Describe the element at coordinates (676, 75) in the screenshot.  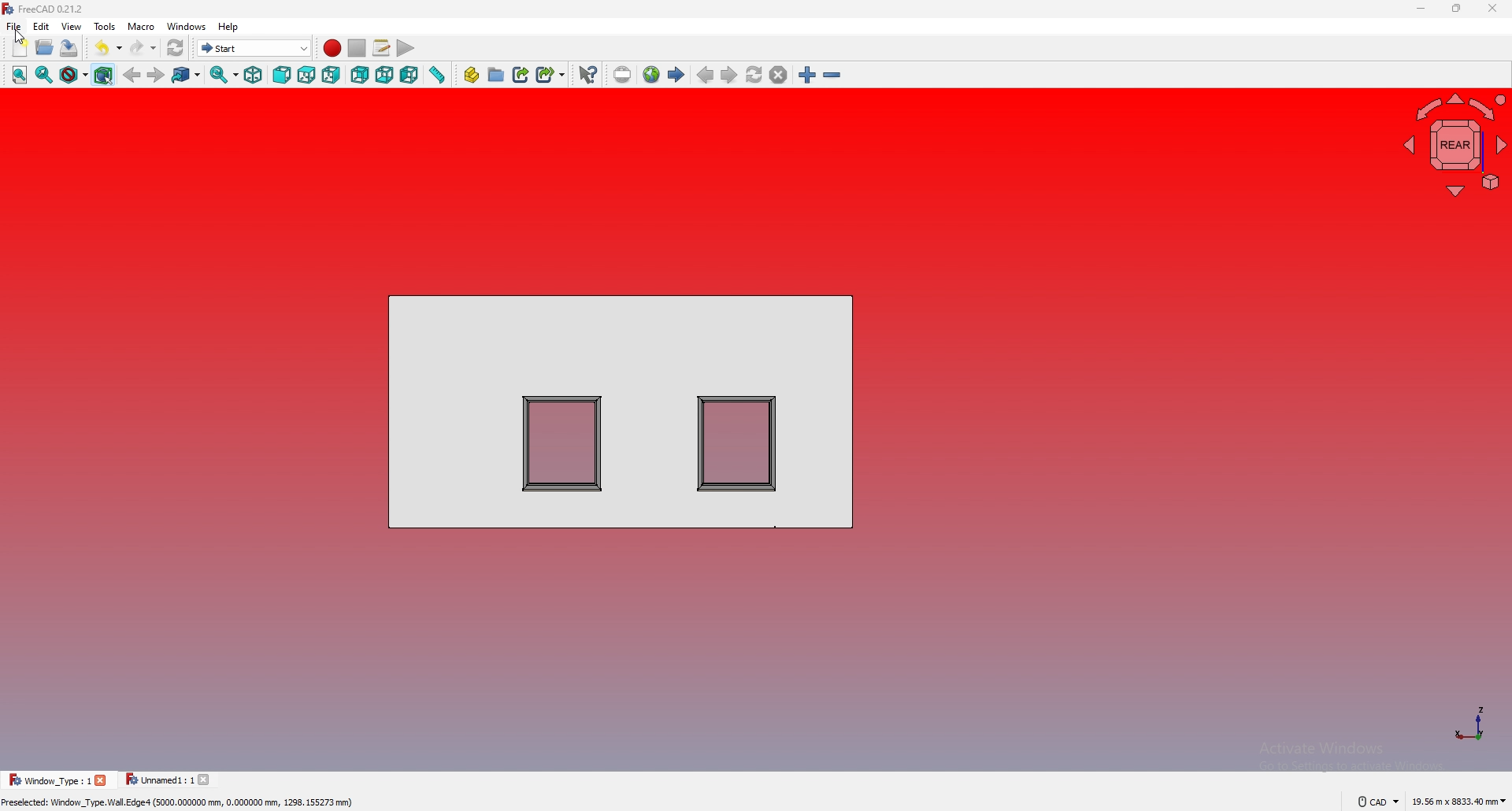
I see `start page` at that location.